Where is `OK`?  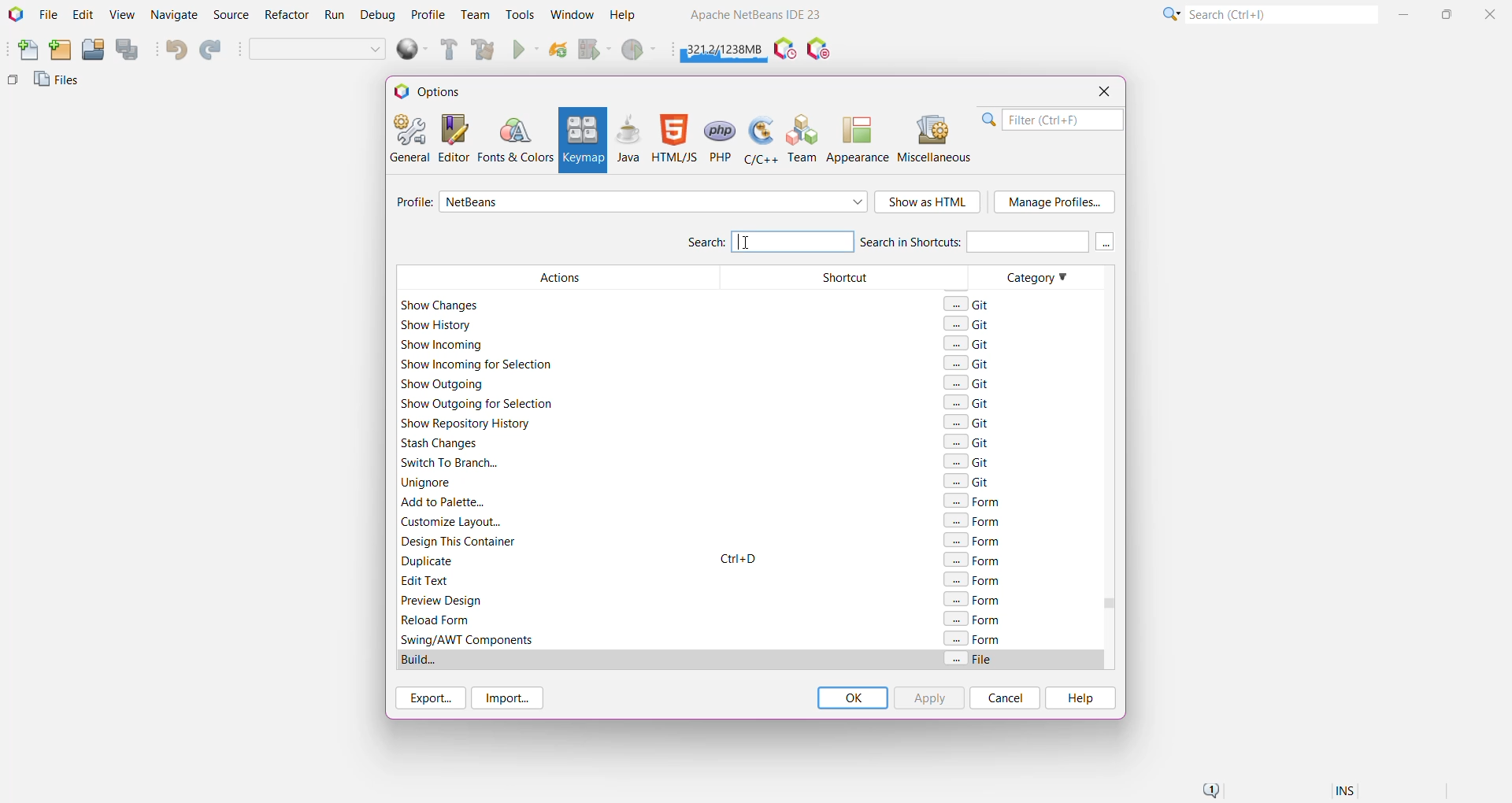
OK is located at coordinates (852, 698).